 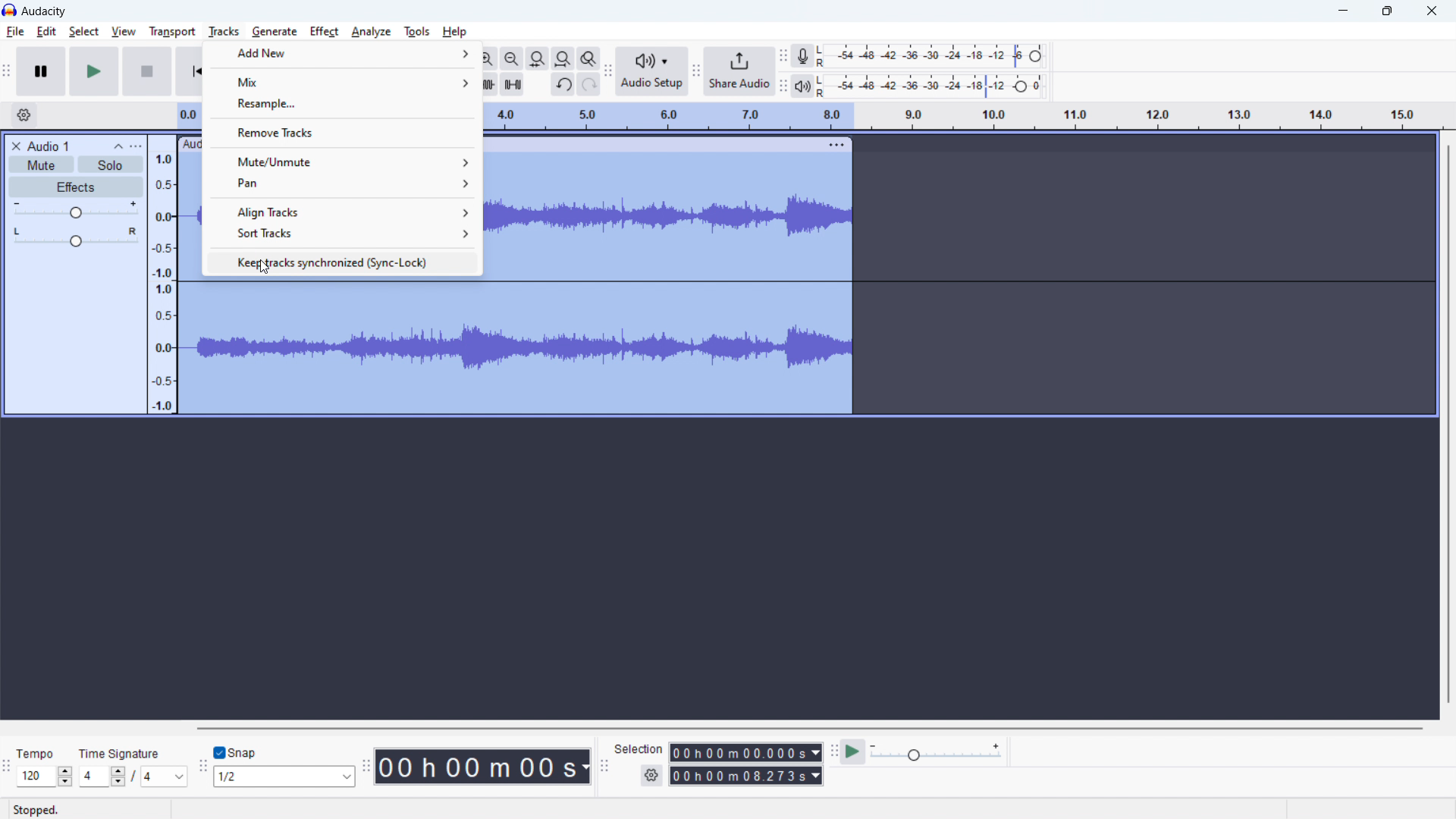 What do you see at coordinates (275, 32) in the screenshot?
I see `generate` at bounding box center [275, 32].